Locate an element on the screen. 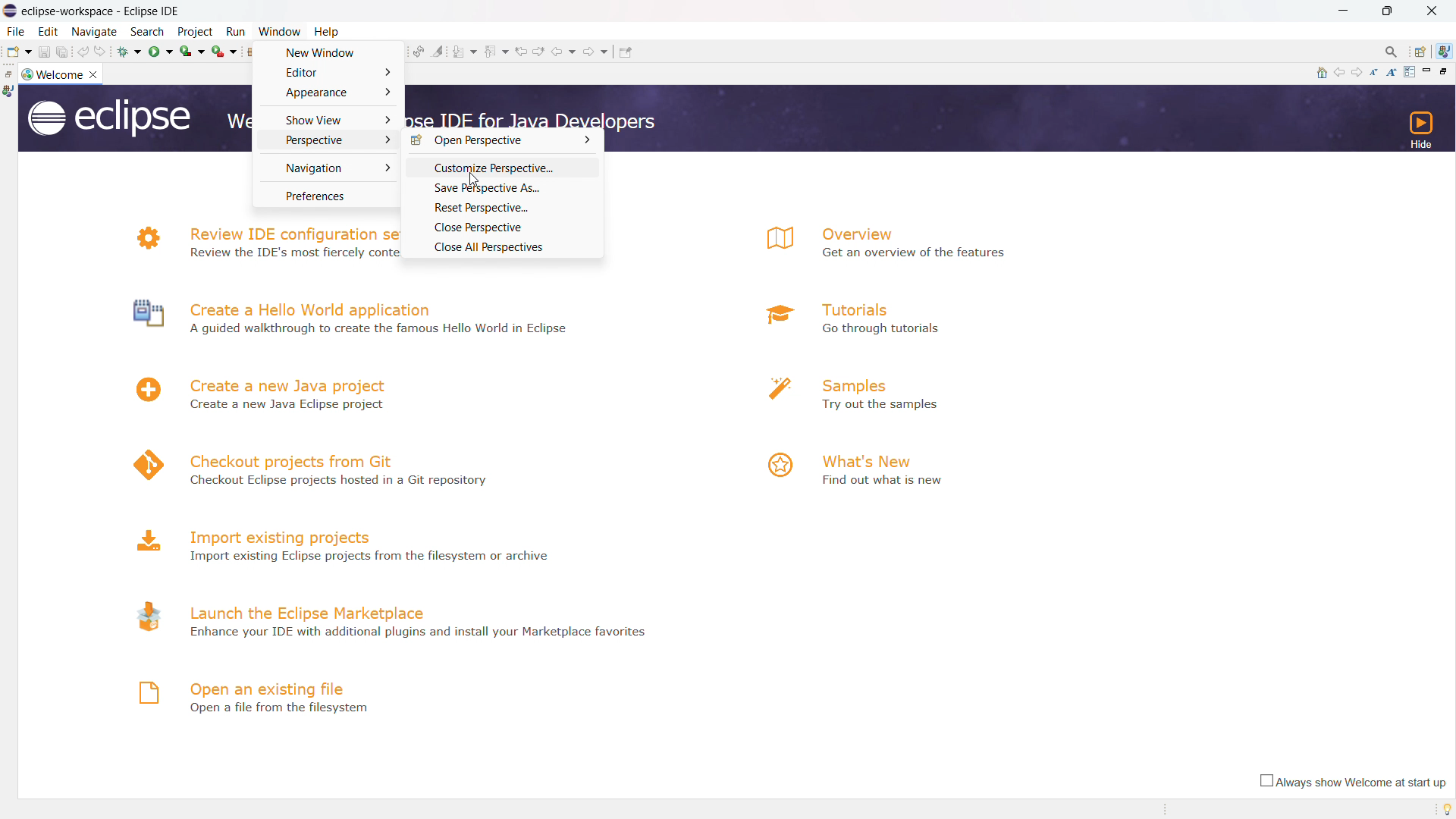  always show welcome at start up is located at coordinates (1350, 782).